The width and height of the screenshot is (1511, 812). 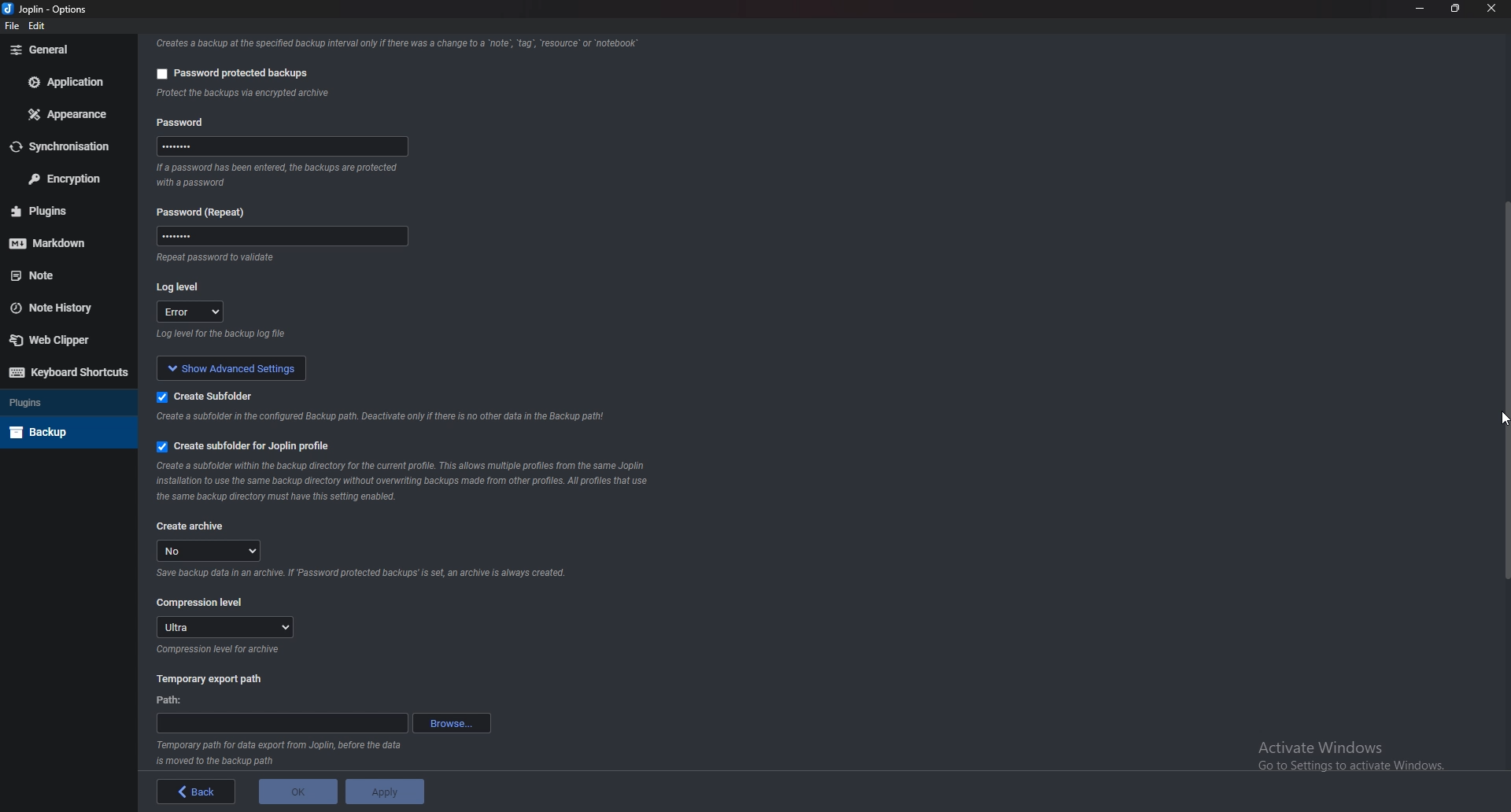 What do you see at coordinates (393, 42) in the screenshot?
I see `info` at bounding box center [393, 42].